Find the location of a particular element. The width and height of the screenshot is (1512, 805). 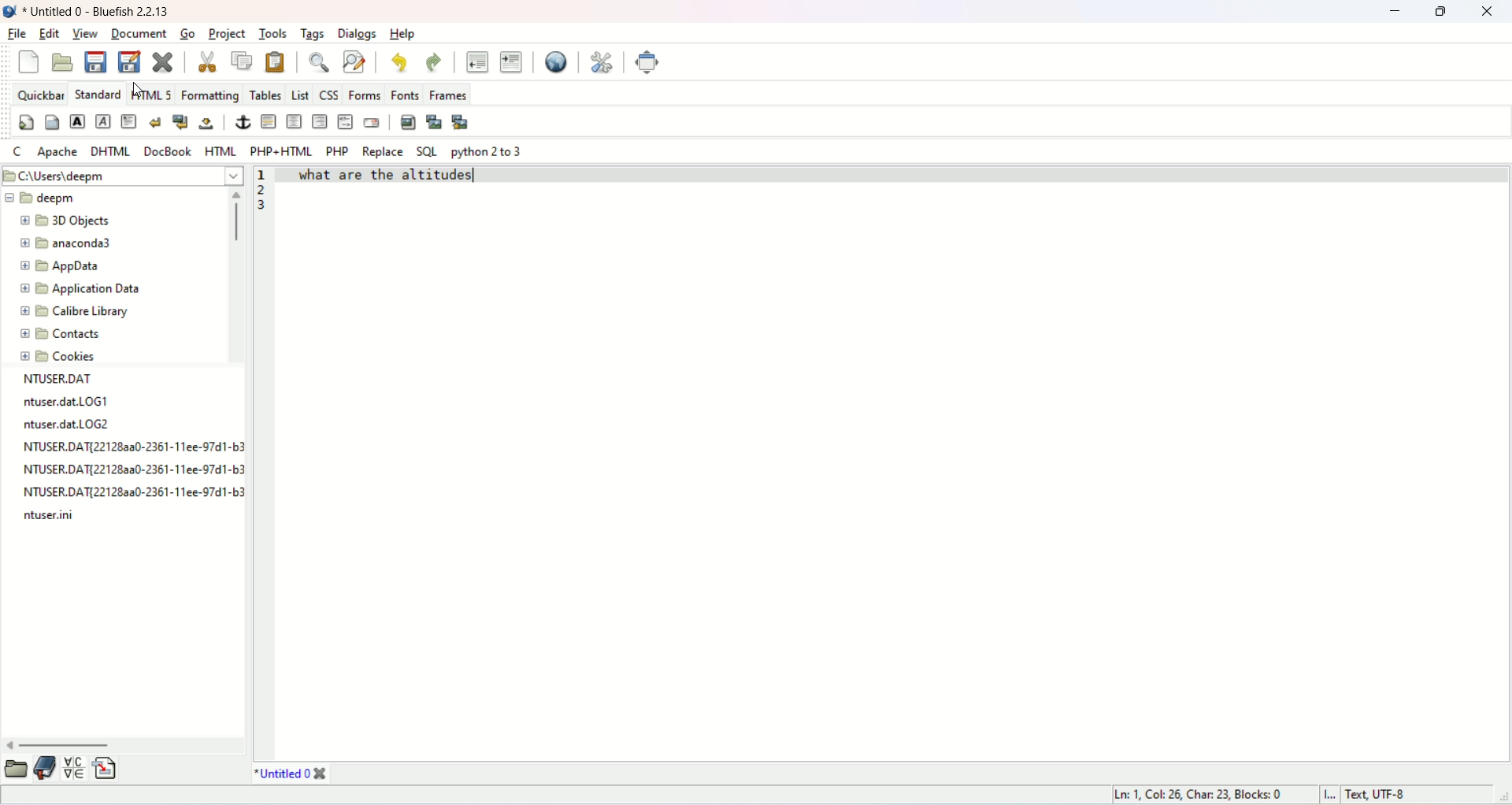

line number is located at coordinates (265, 189).